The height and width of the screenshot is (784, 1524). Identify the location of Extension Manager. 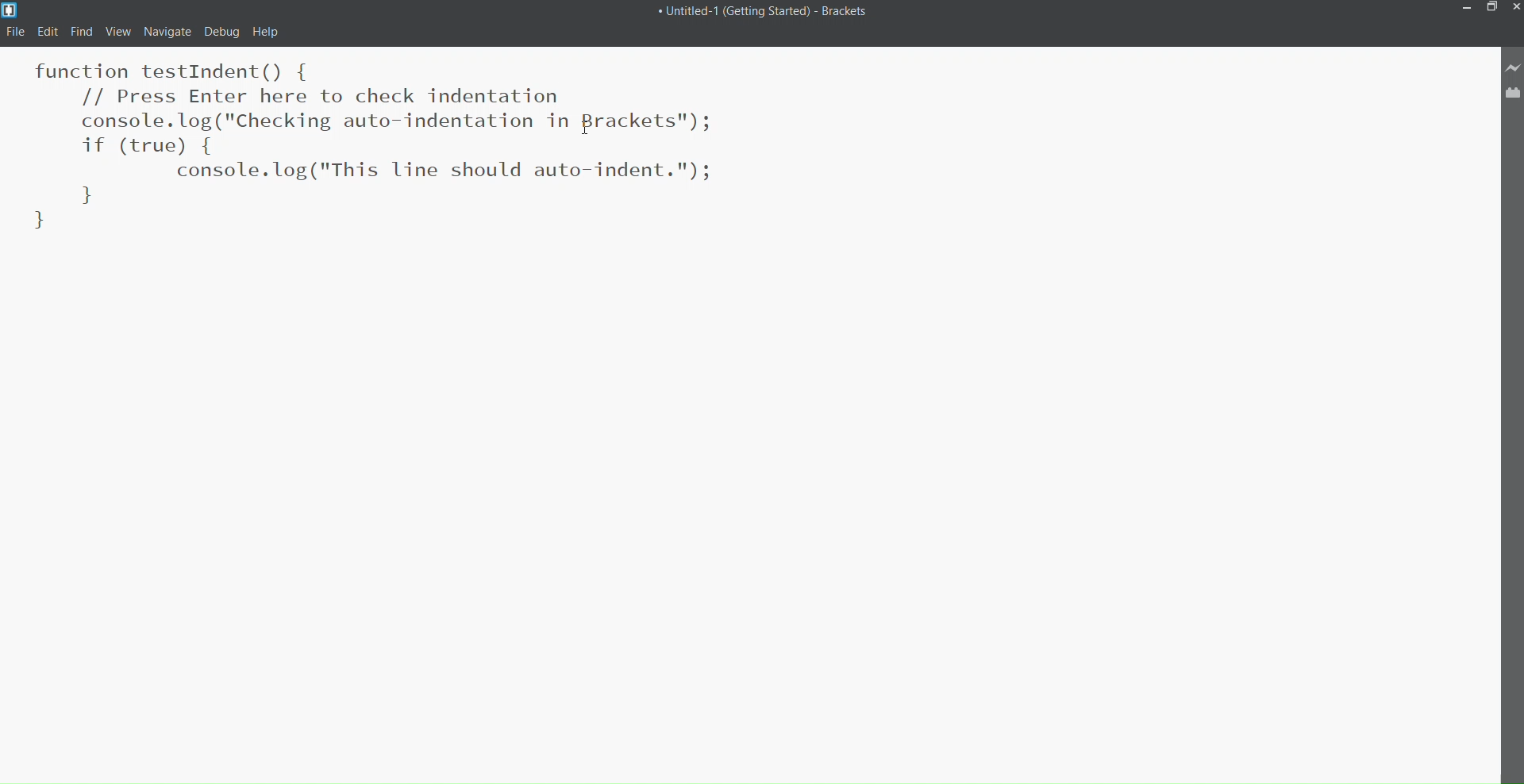
(1514, 92).